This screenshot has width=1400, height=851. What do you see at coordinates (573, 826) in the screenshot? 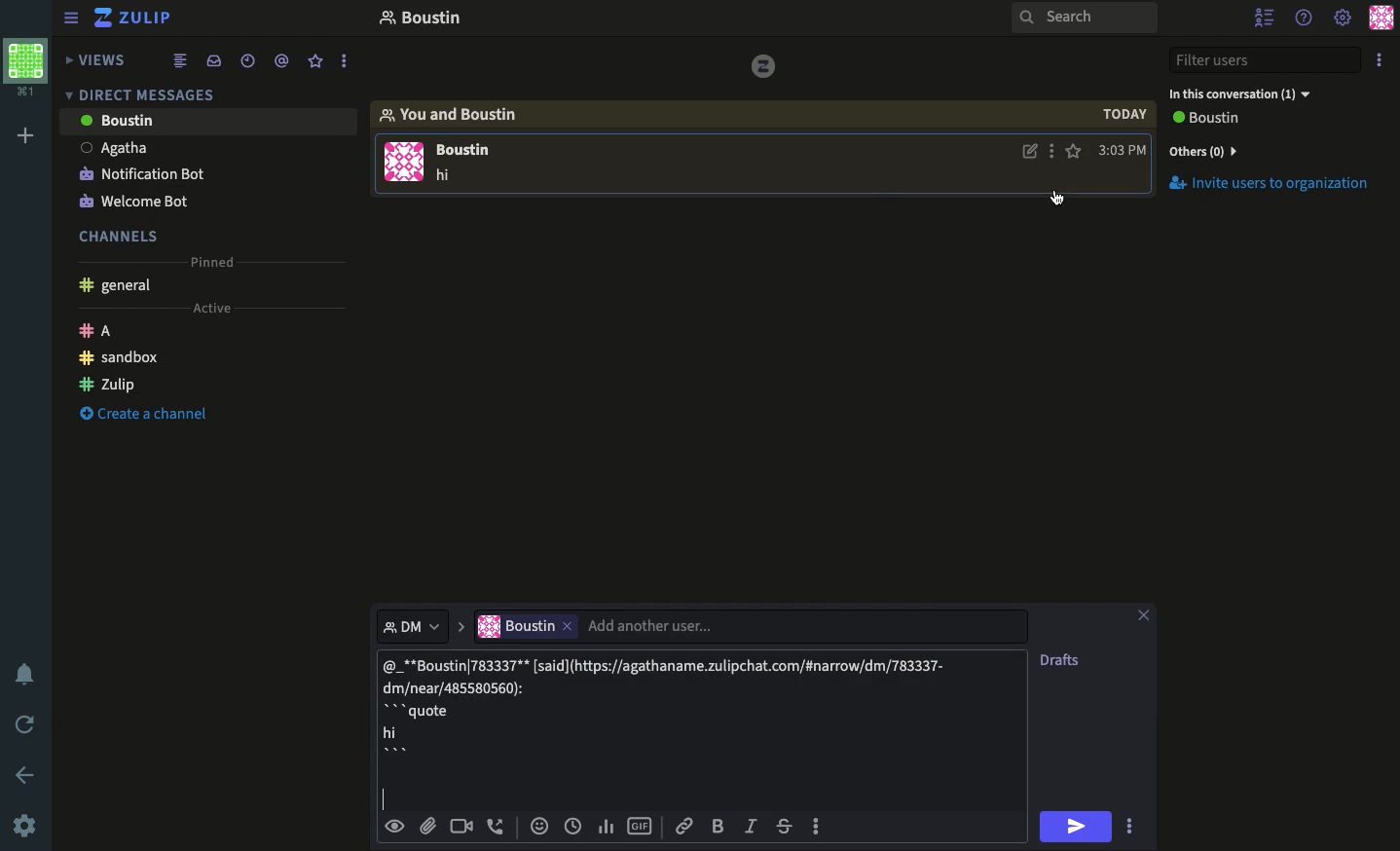
I see `Time` at bounding box center [573, 826].